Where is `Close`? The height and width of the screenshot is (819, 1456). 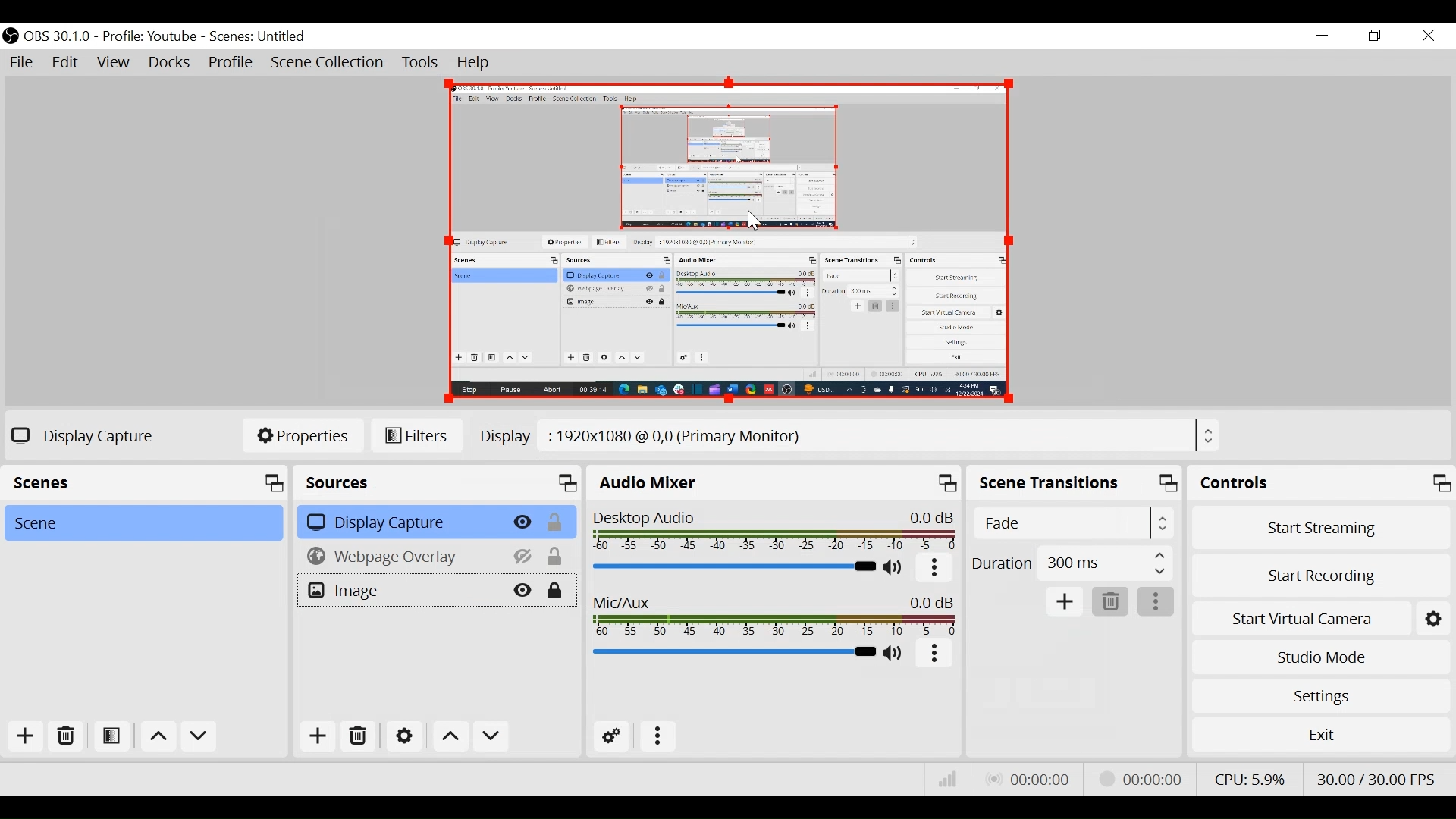 Close is located at coordinates (1429, 37).